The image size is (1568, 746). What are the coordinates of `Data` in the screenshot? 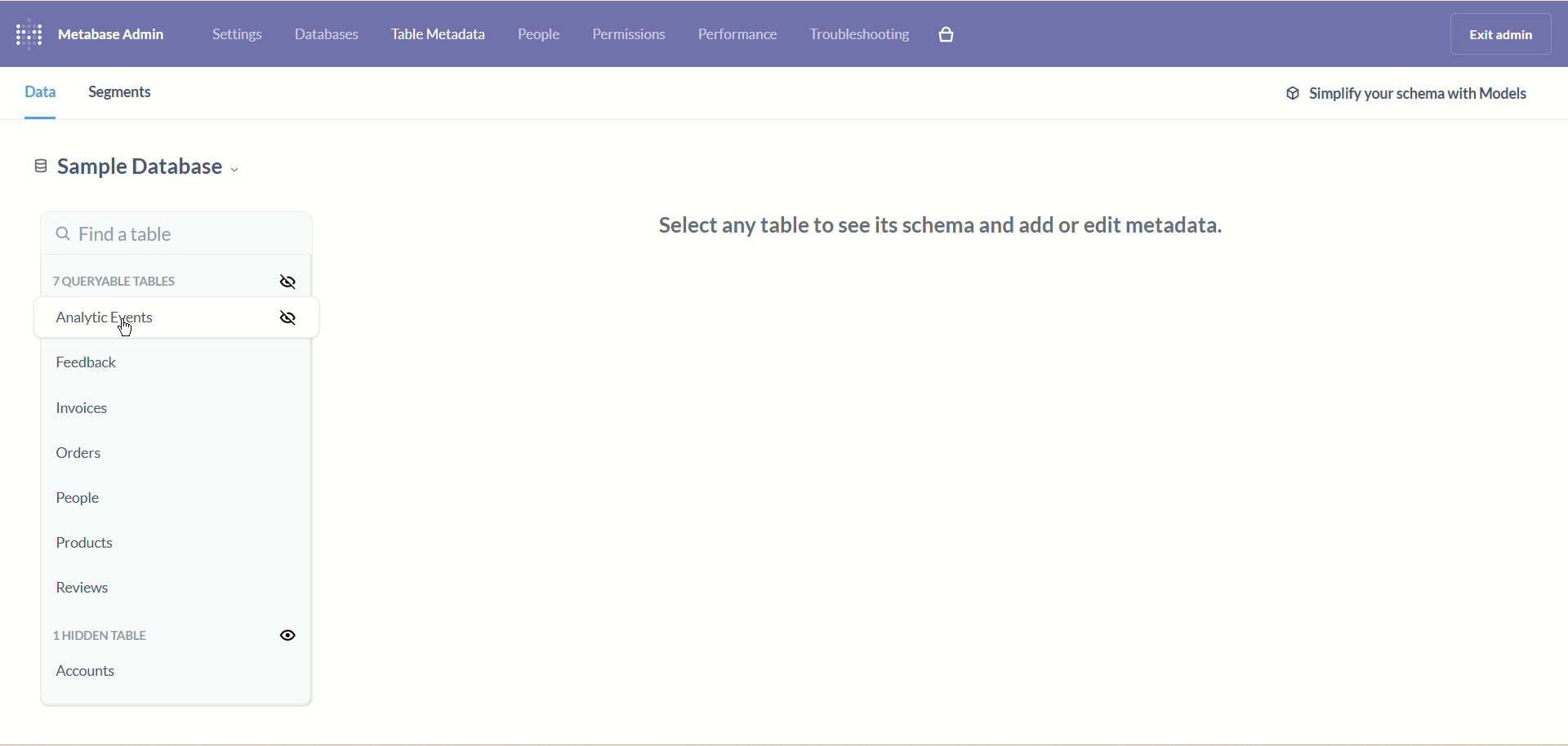 It's located at (36, 92).